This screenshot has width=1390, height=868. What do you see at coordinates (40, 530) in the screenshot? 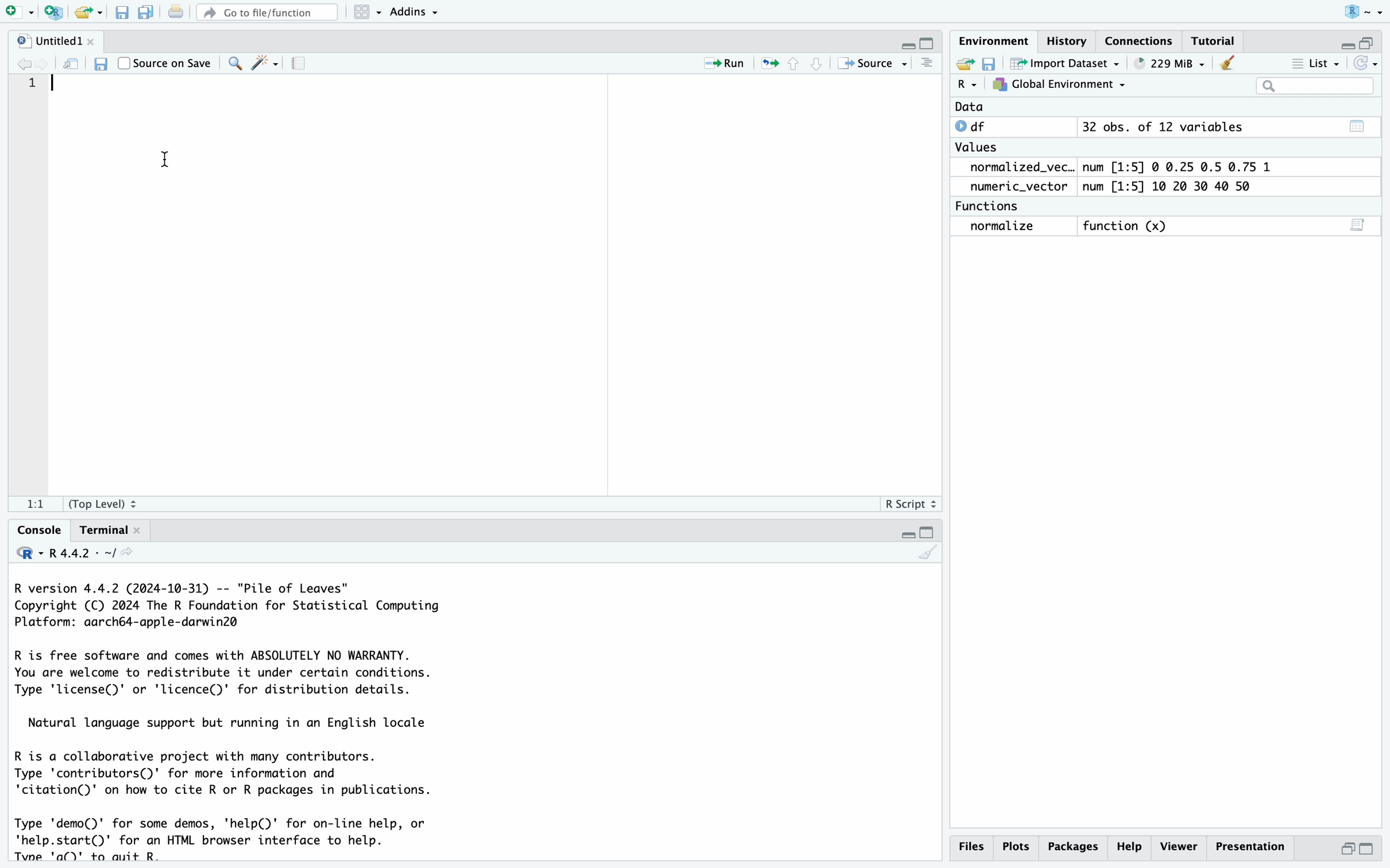
I see `Console` at bounding box center [40, 530].